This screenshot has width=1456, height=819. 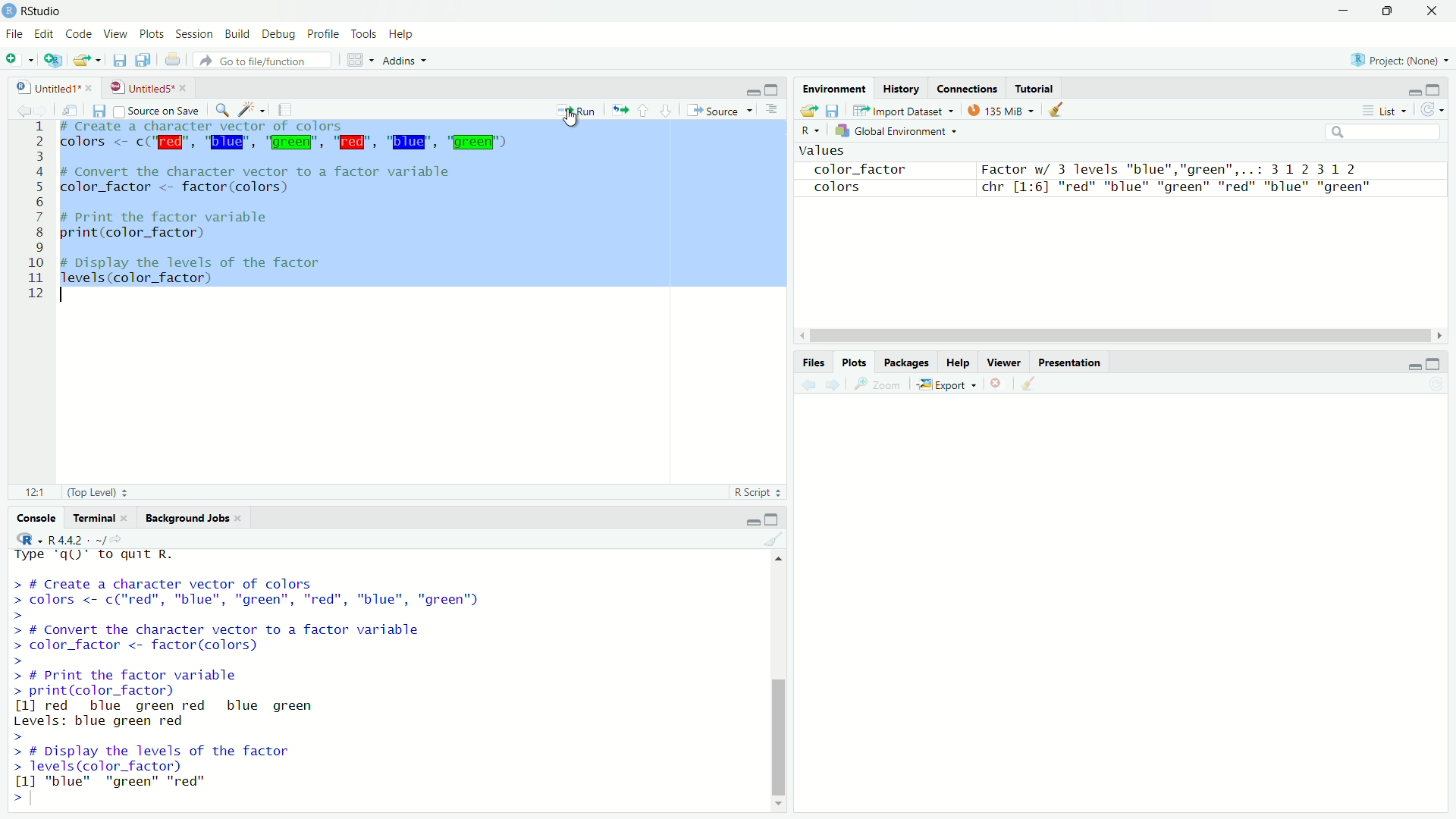 What do you see at coordinates (38, 801) in the screenshot?
I see `typing cursor` at bounding box center [38, 801].